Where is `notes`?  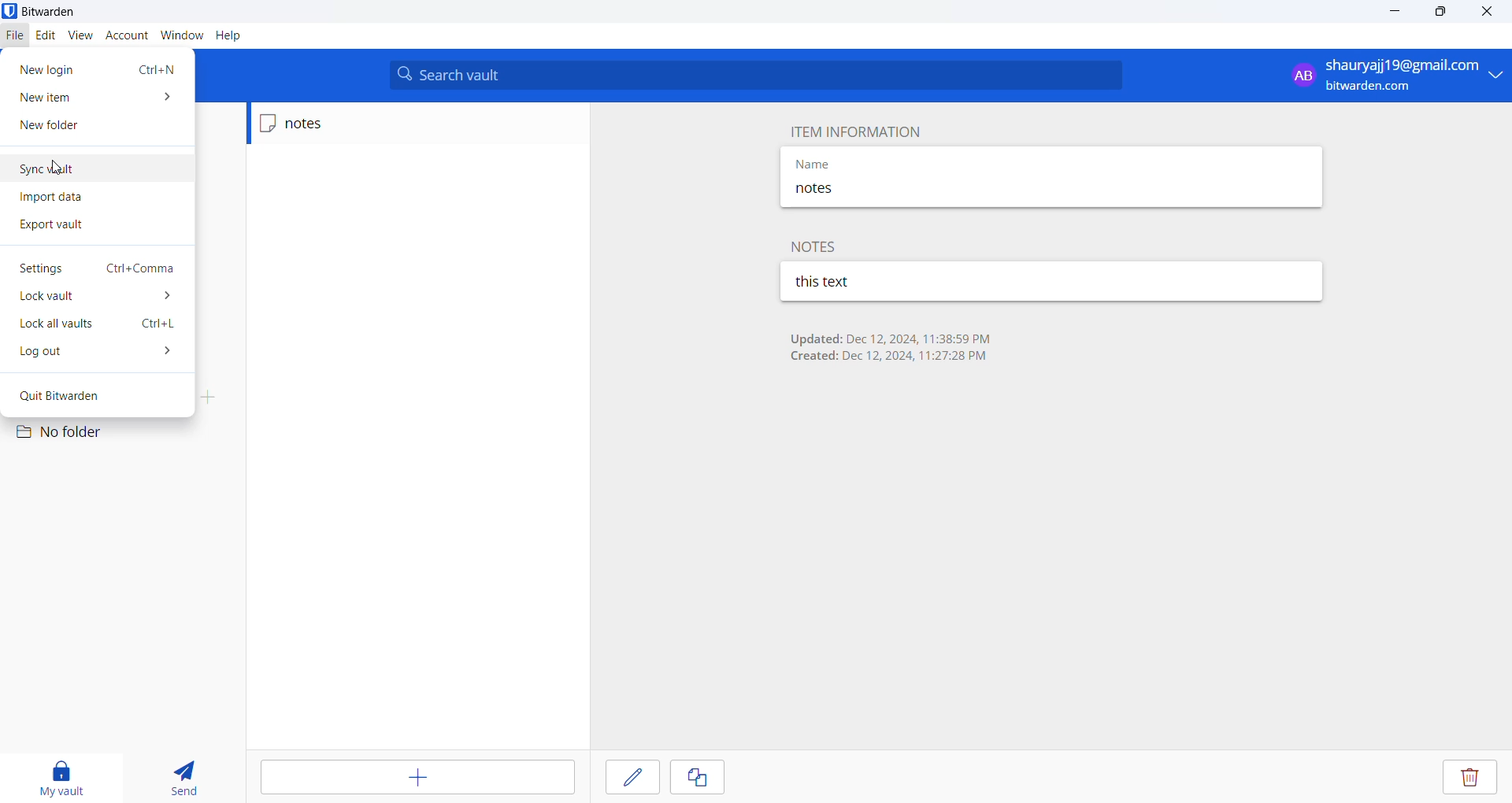 notes is located at coordinates (328, 124).